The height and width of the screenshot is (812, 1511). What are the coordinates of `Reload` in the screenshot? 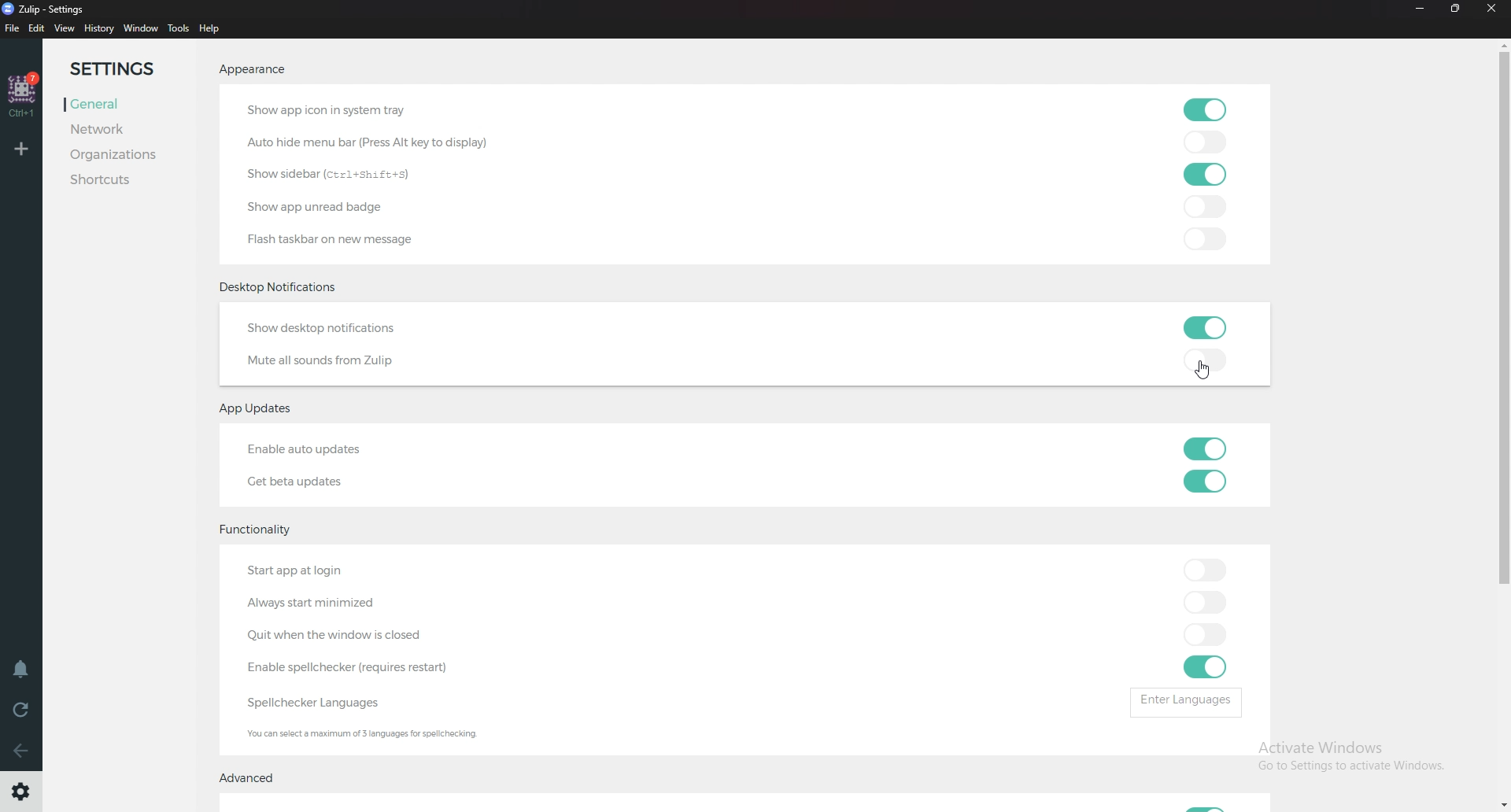 It's located at (20, 712).